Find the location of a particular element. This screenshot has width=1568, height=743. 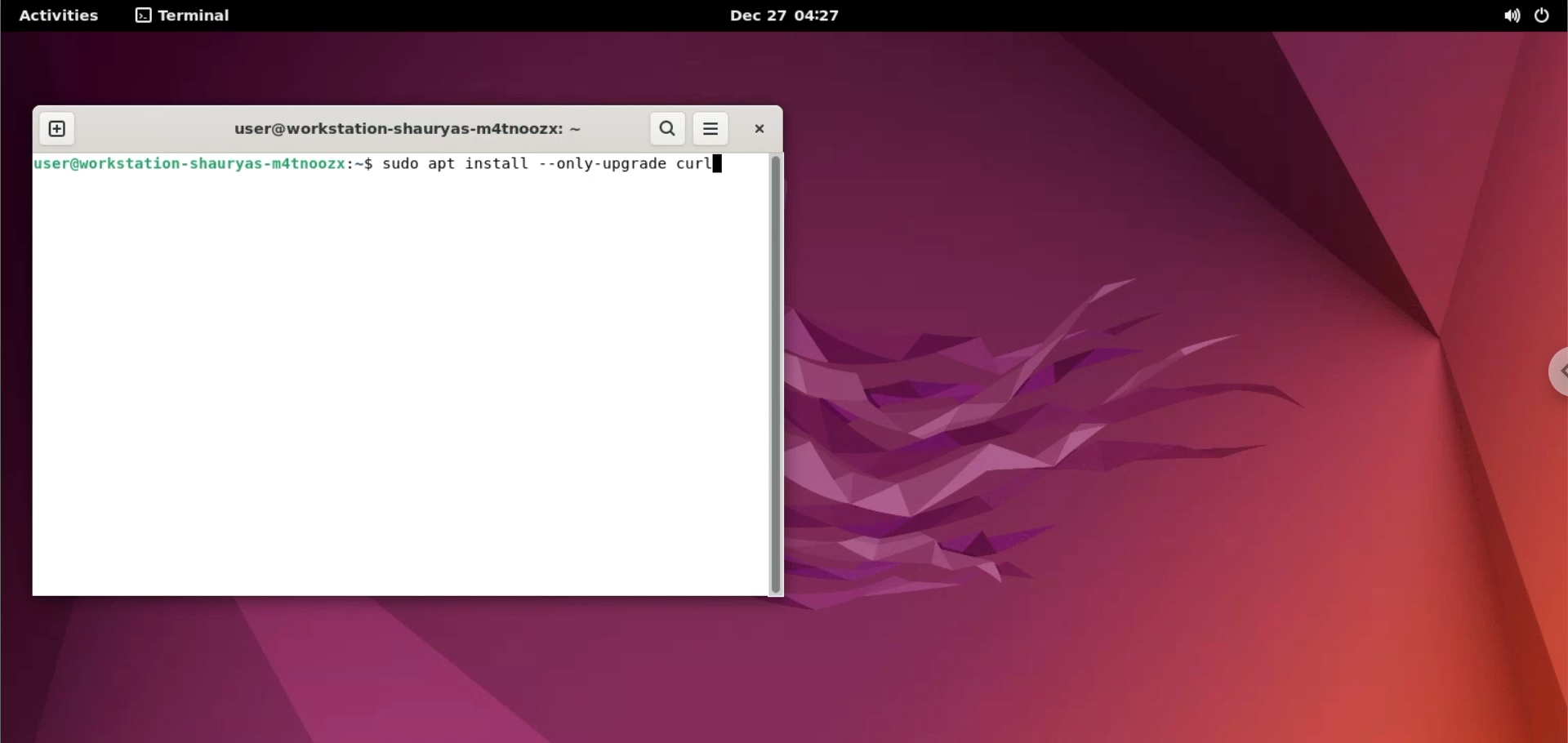

user@workstation-shauryas-m4tnoozx:-$ is located at coordinates (203, 164).